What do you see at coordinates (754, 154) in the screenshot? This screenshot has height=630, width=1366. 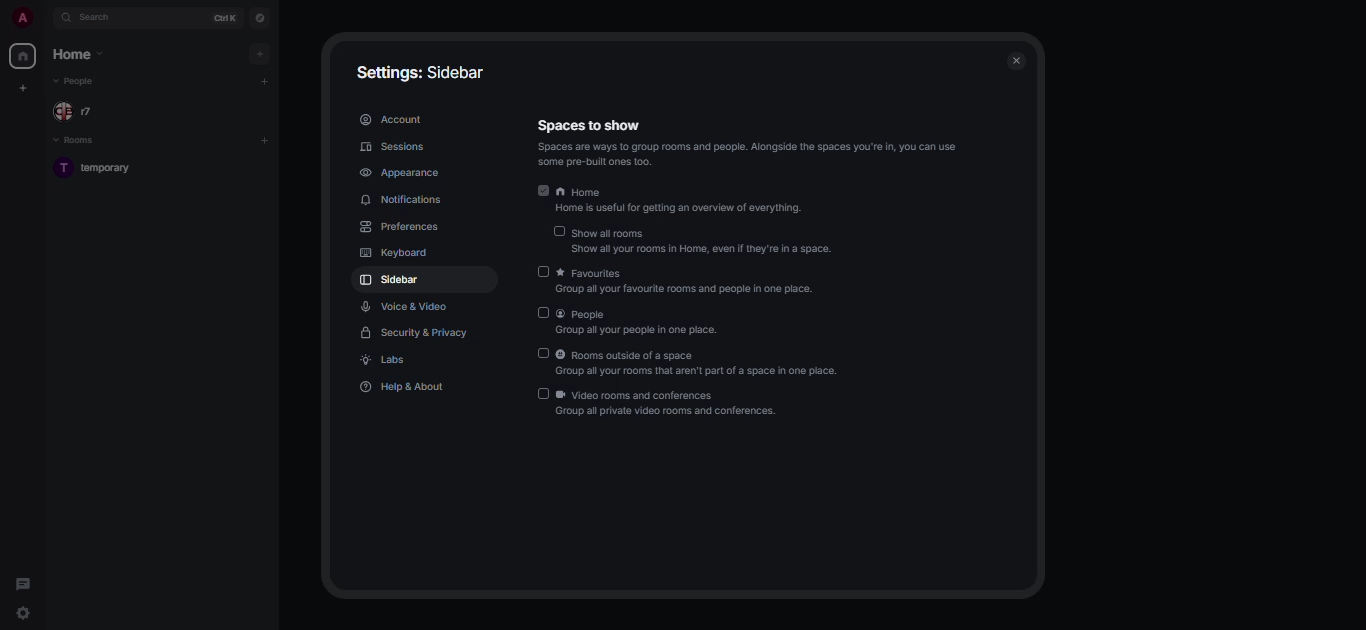 I see `info` at bounding box center [754, 154].